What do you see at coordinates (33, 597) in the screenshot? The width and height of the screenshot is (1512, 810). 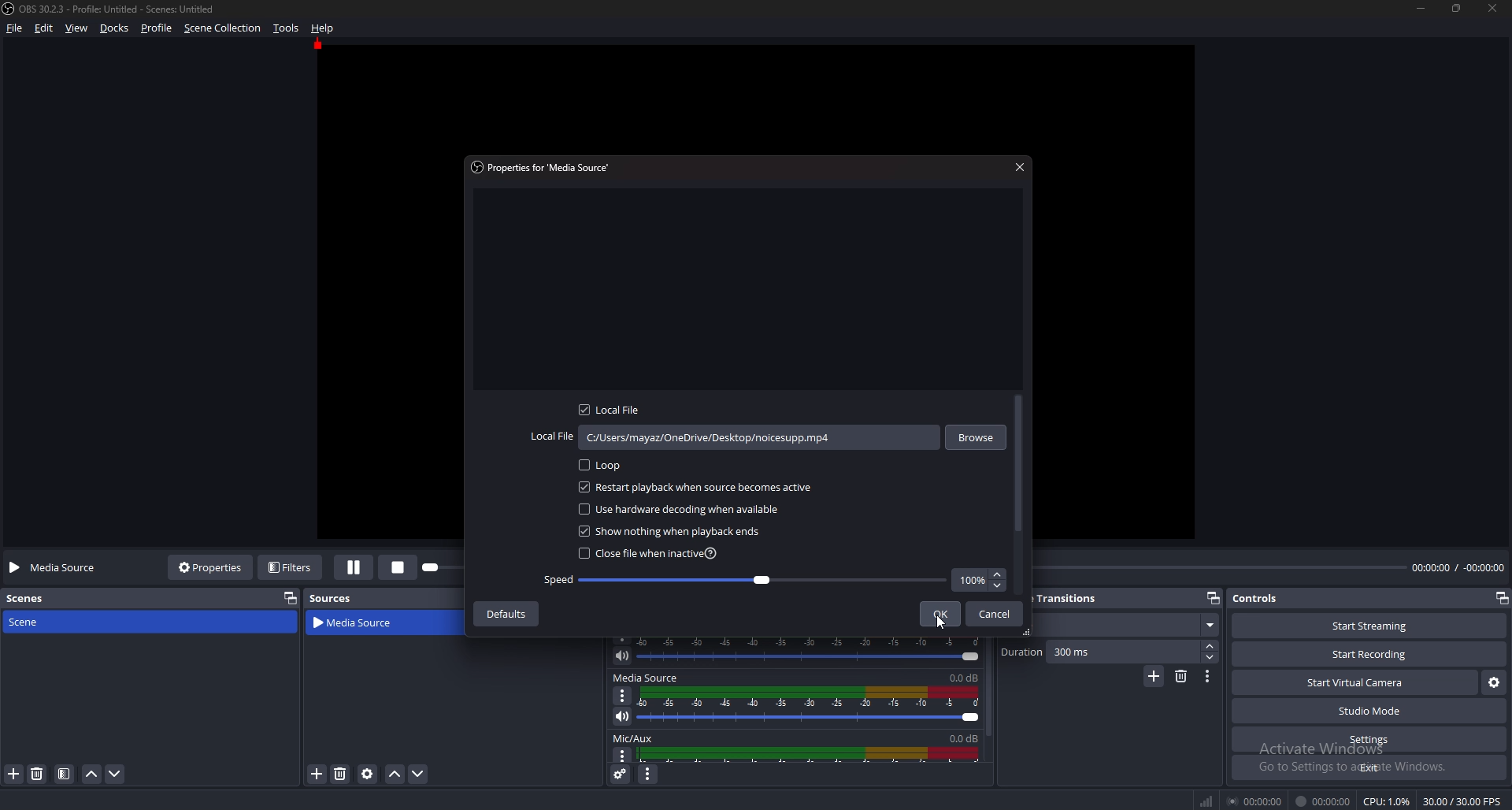 I see `scenes` at bounding box center [33, 597].